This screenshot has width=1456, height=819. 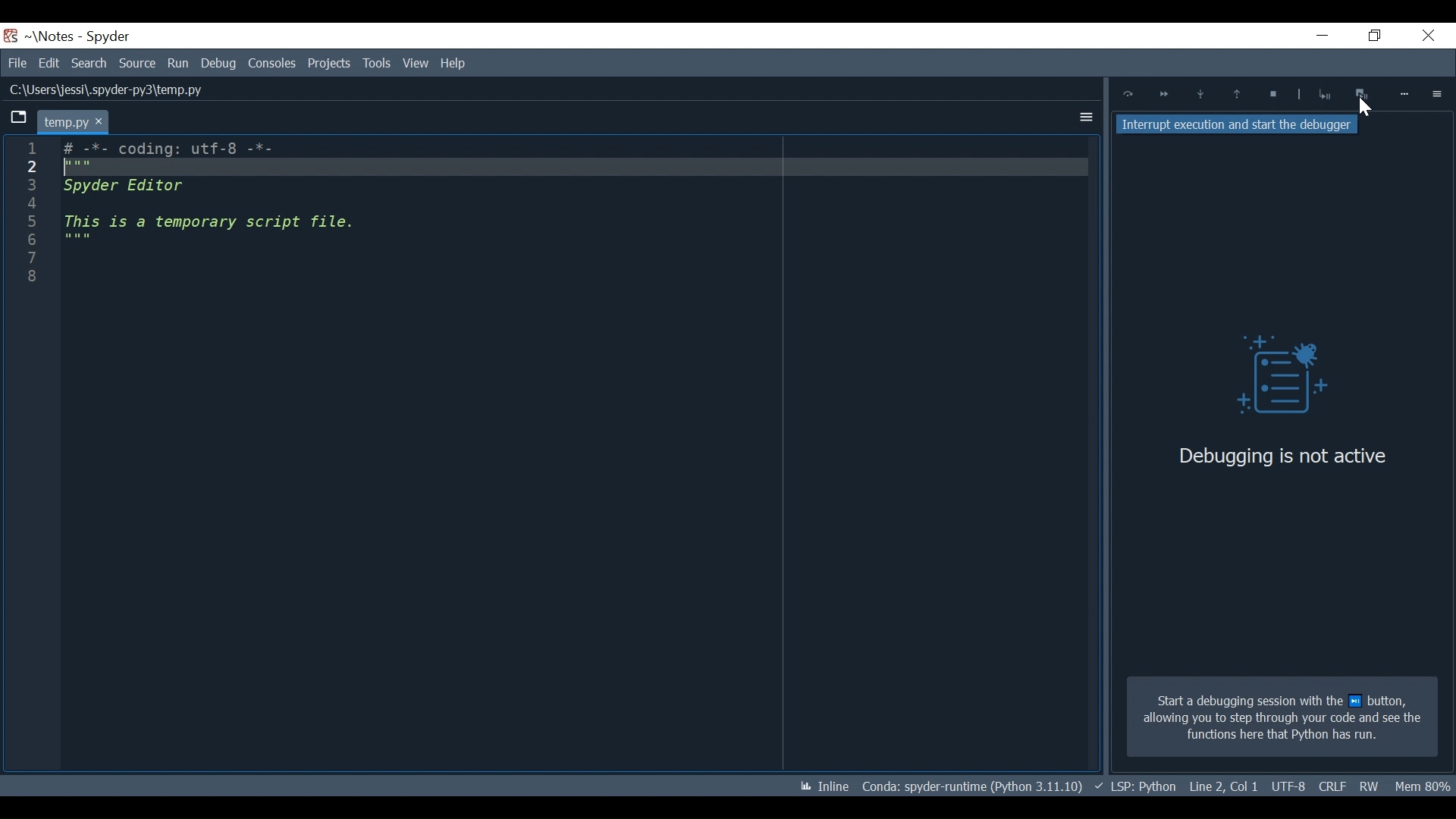 What do you see at coordinates (414, 64) in the screenshot?
I see `Help` at bounding box center [414, 64].